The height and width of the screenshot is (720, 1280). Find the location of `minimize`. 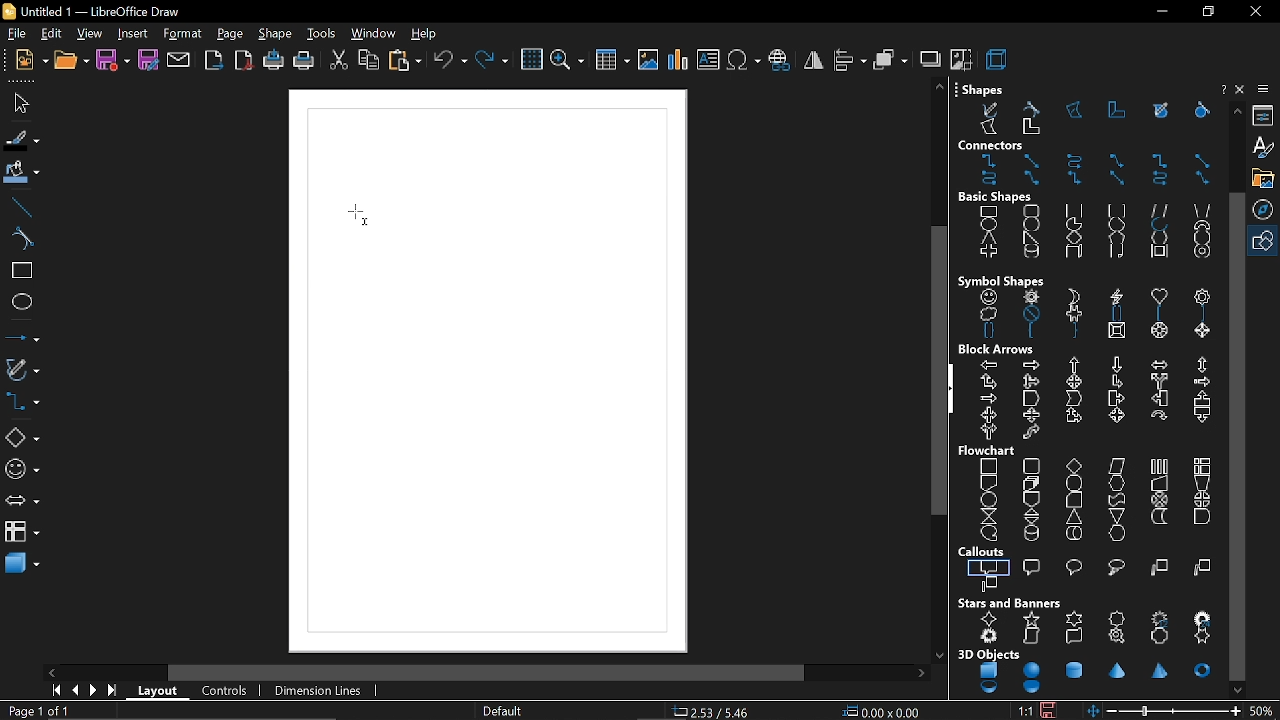

minimize is located at coordinates (1160, 12).